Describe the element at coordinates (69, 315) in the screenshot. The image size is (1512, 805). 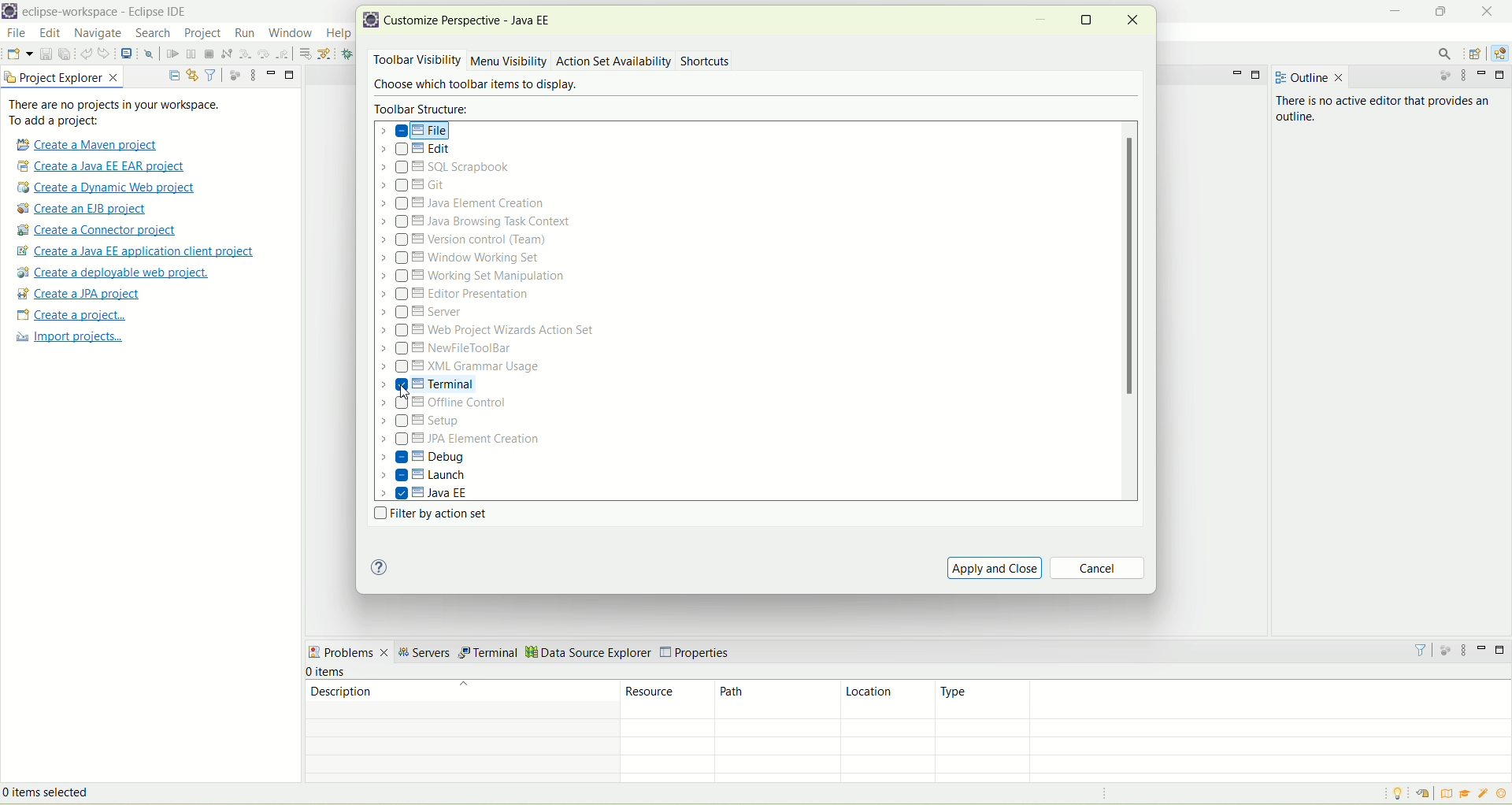
I see `create a project` at that location.